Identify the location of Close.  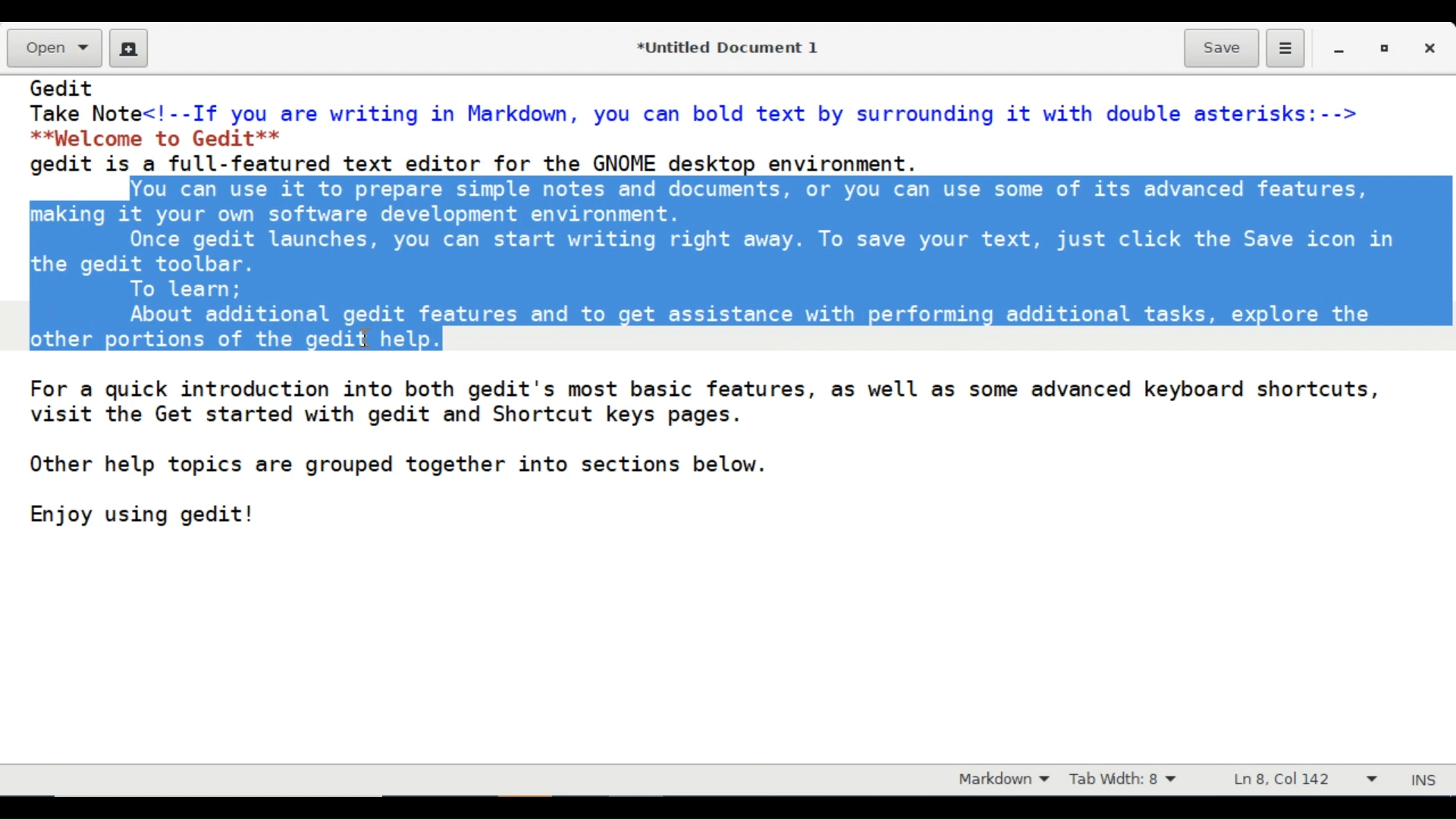
(1432, 48).